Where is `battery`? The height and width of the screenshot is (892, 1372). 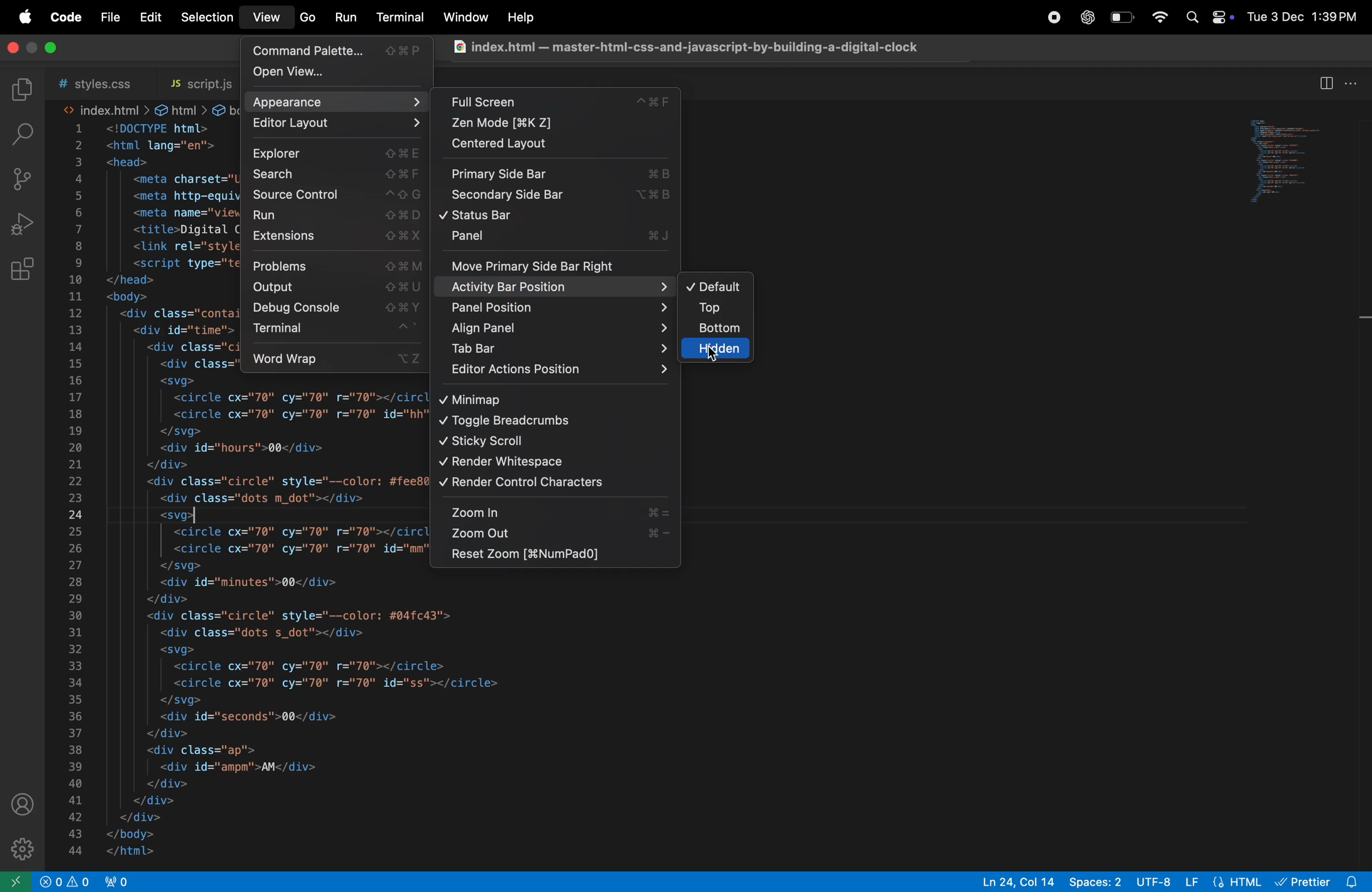 battery is located at coordinates (1123, 19).